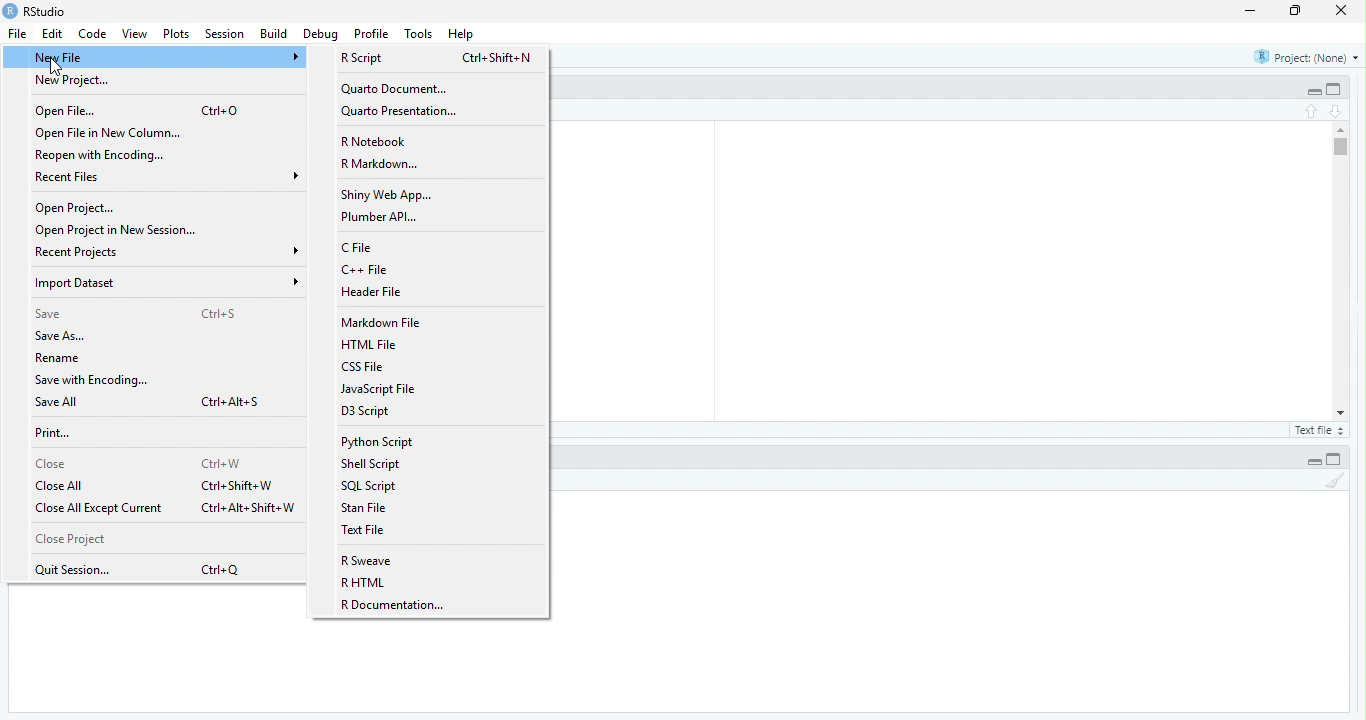 This screenshot has height=720, width=1366. Describe the element at coordinates (221, 313) in the screenshot. I see `Ctri+S` at that location.